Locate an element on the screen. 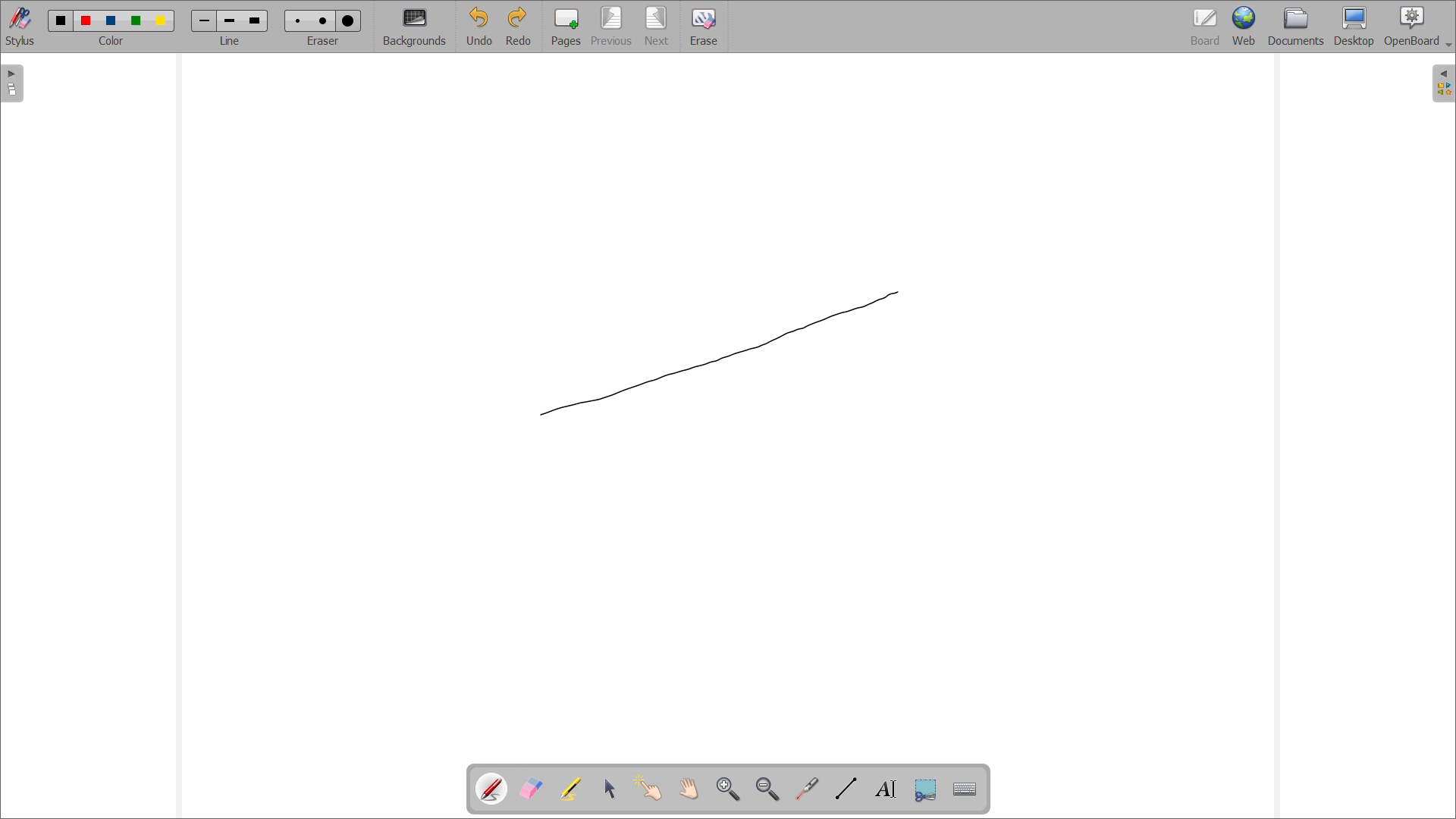 This screenshot has width=1456, height=819. interact with items is located at coordinates (650, 788).